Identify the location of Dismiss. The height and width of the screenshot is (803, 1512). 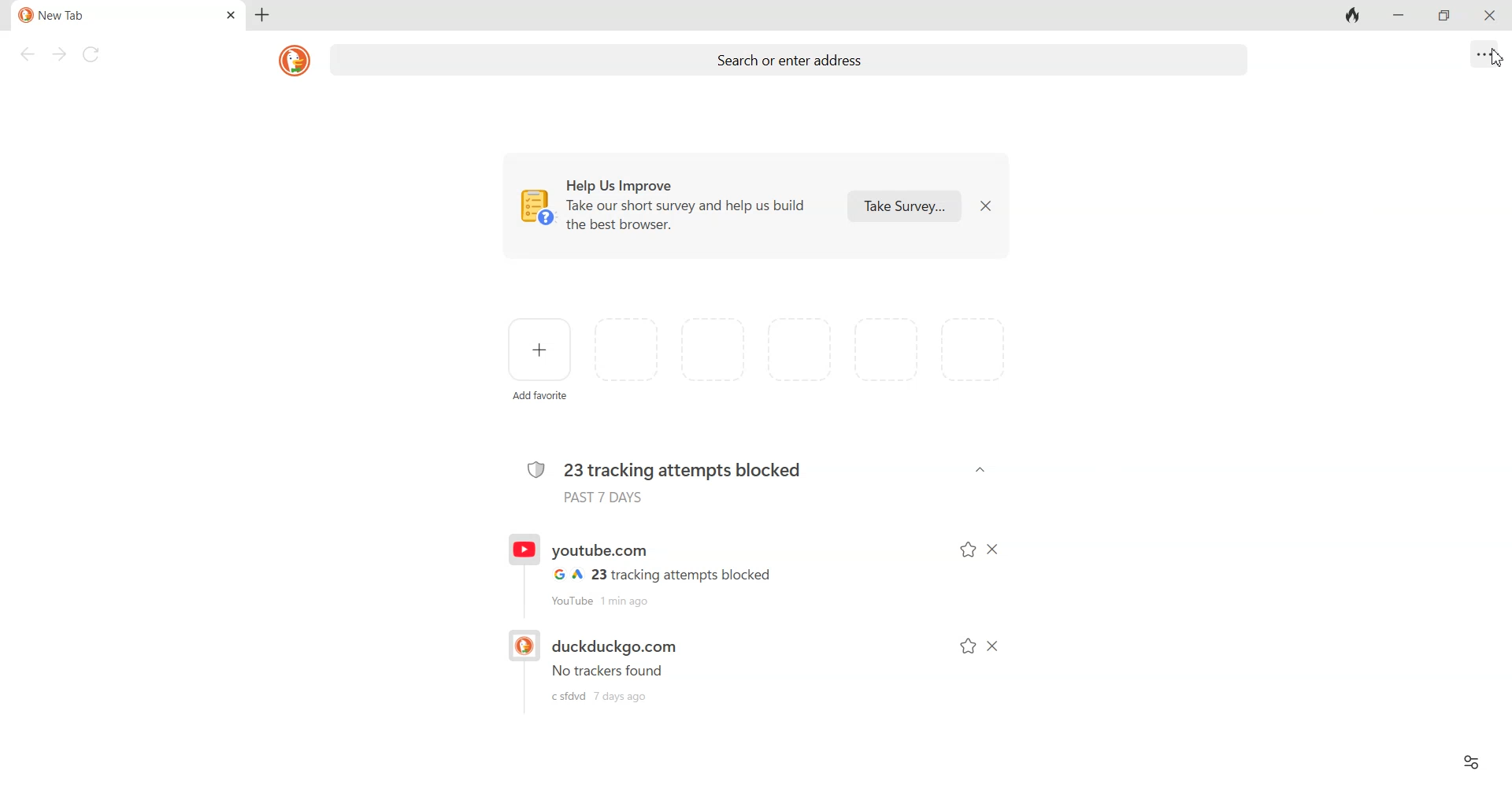
(995, 550).